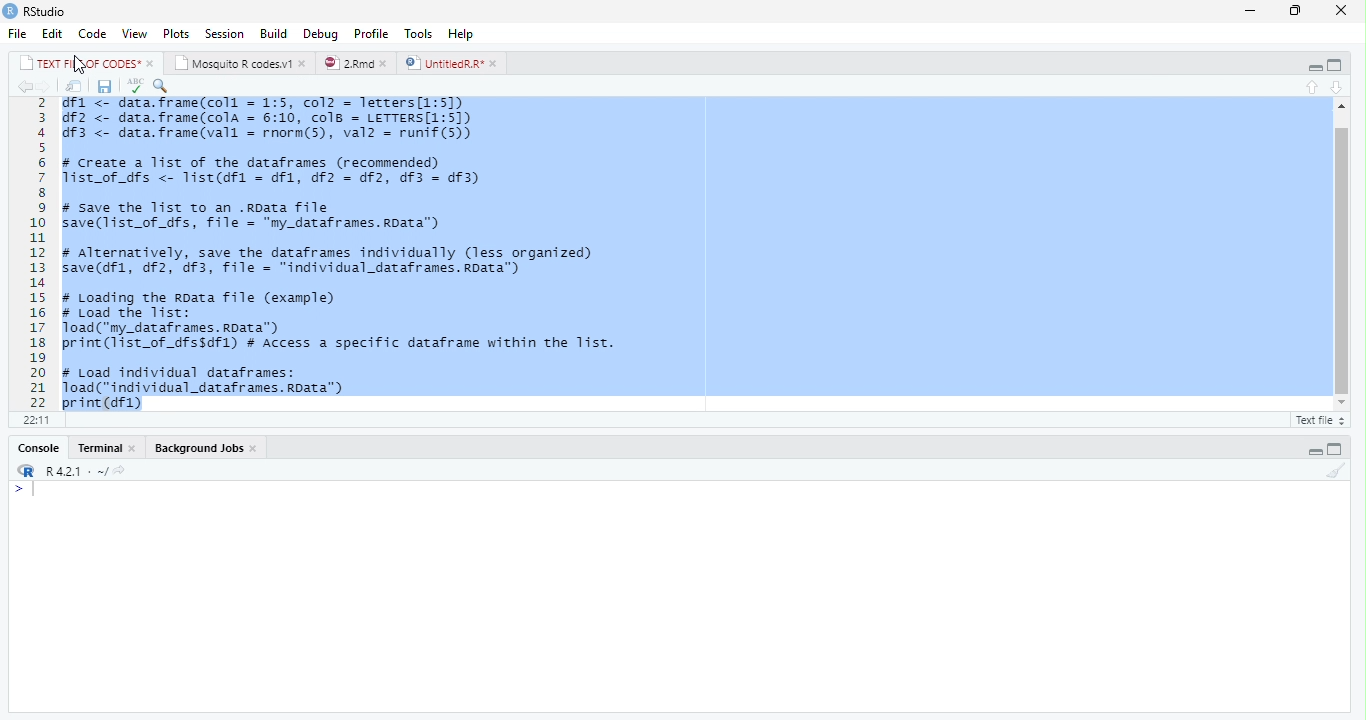 This screenshot has width=1366, height=720. What do you see at coordinates (1336, 256) in the screenshot?
I see `vertical scroll bar` at bounding box center [1336, 256].